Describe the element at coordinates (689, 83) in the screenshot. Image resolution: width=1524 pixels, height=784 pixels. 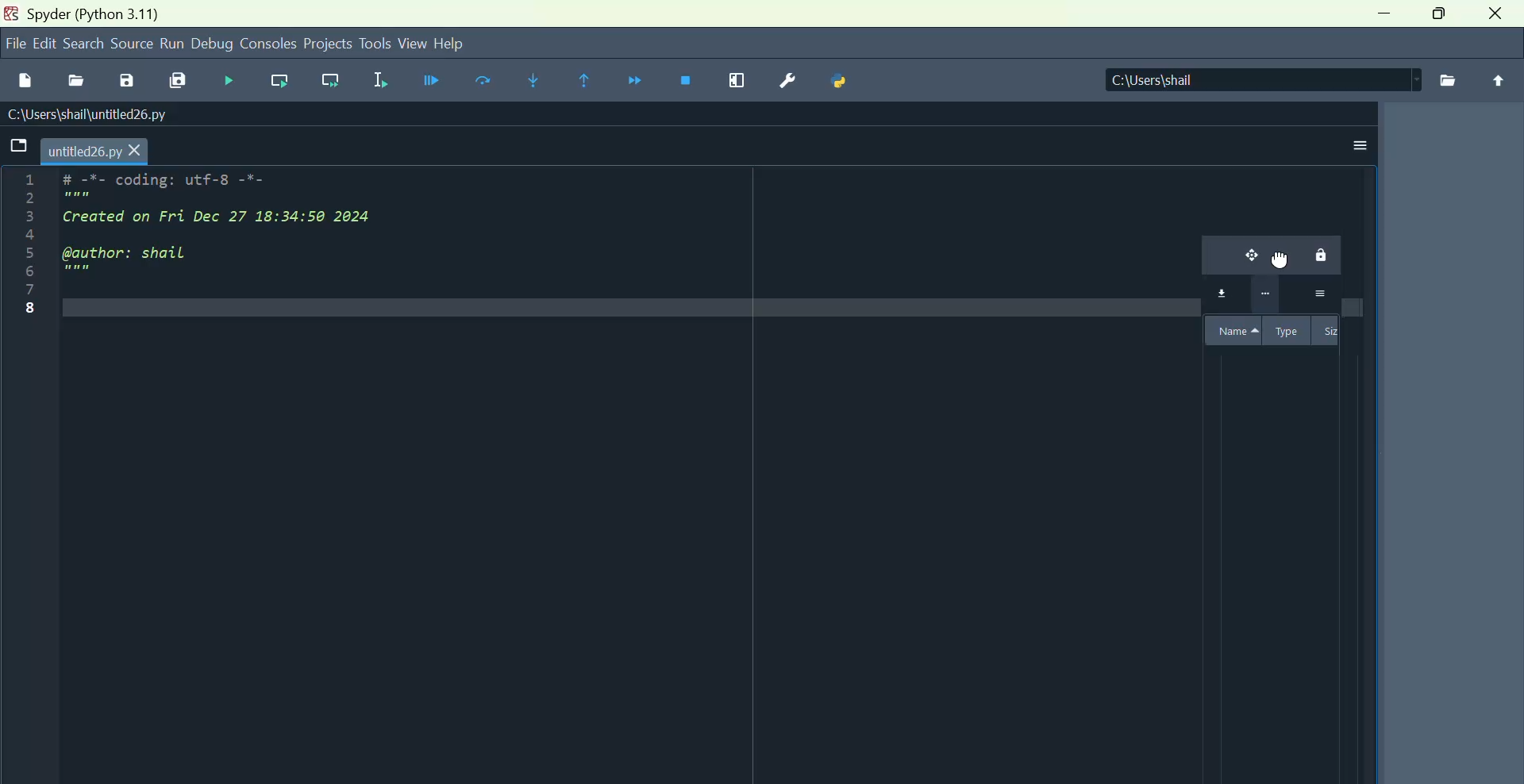
I see `Stop debugging` at that location.